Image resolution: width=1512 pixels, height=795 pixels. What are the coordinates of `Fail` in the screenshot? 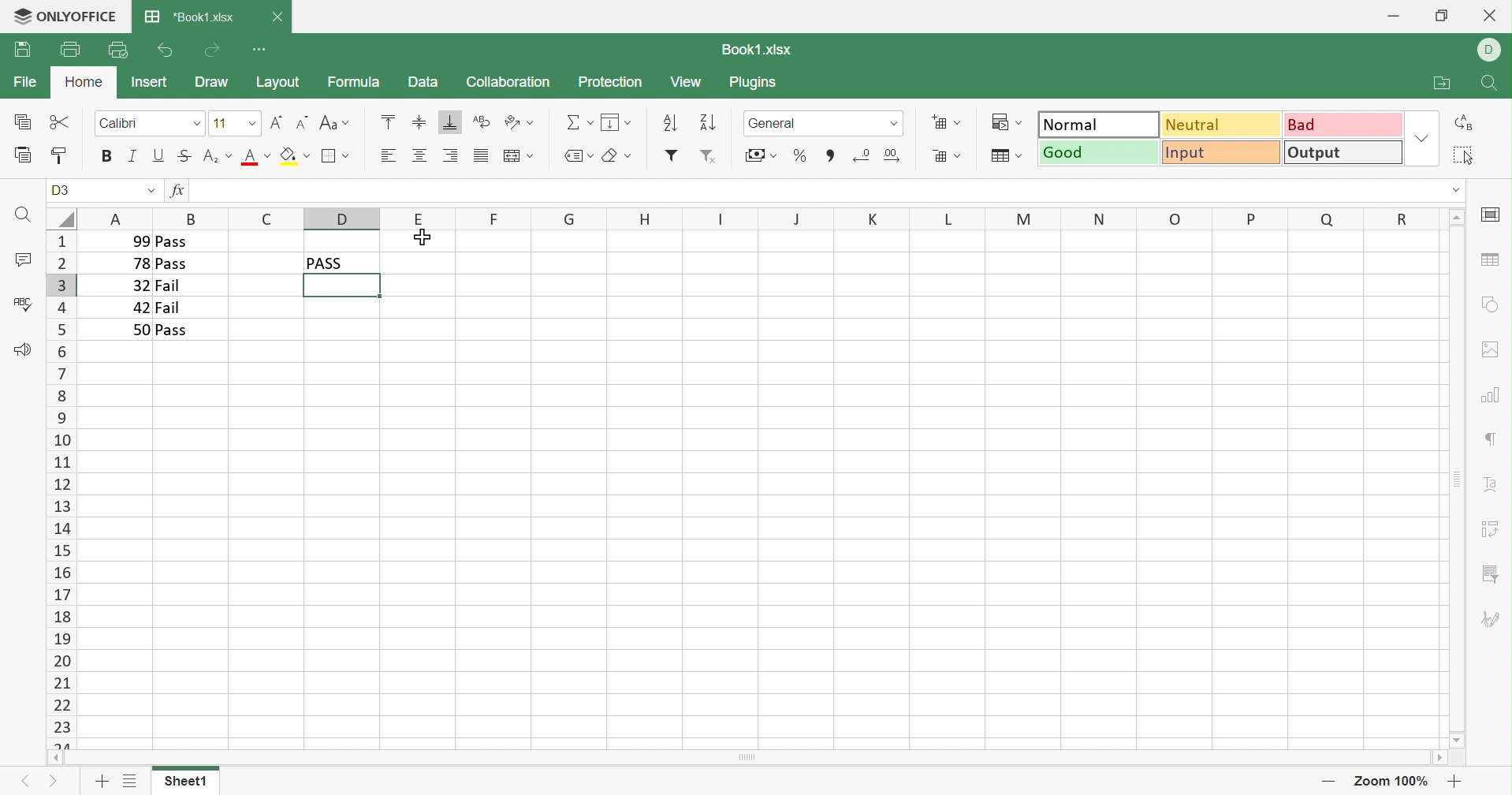 It's located at (170, 308).